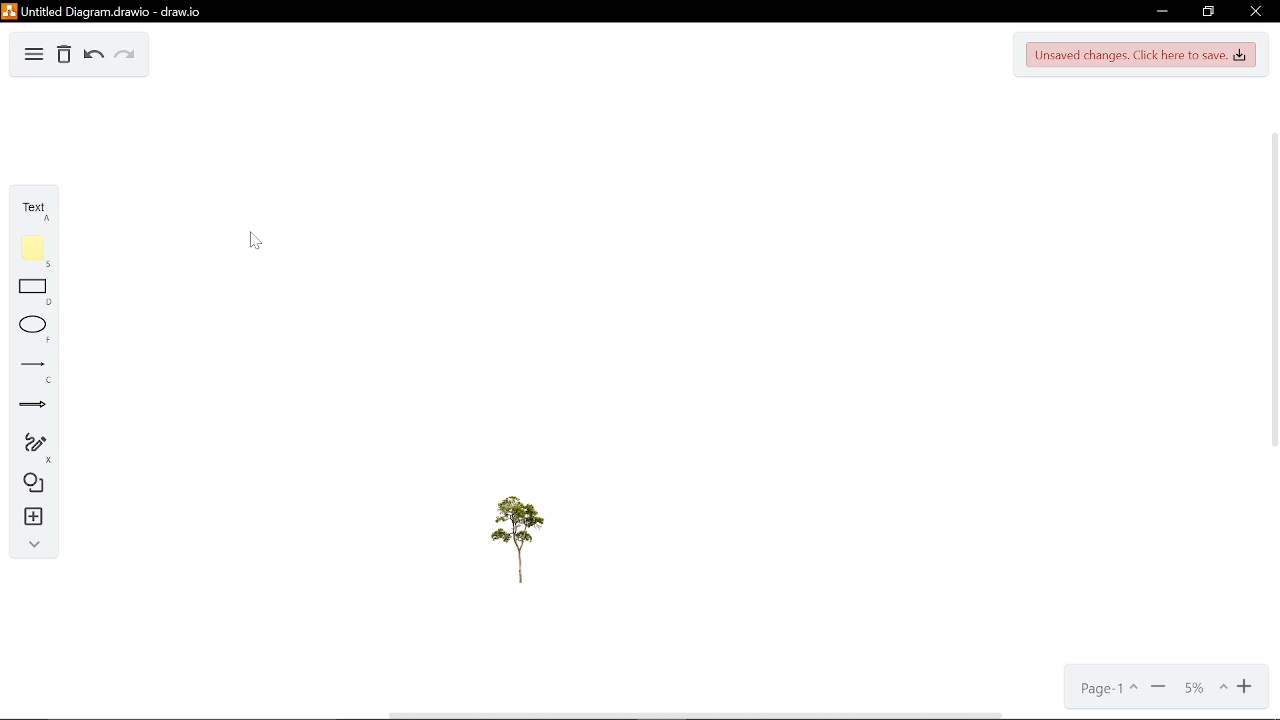  What do you see at coordinates (660, 711) in the screenshot?
I see `horizontal scrollbar` at bounding box center [660, 711].